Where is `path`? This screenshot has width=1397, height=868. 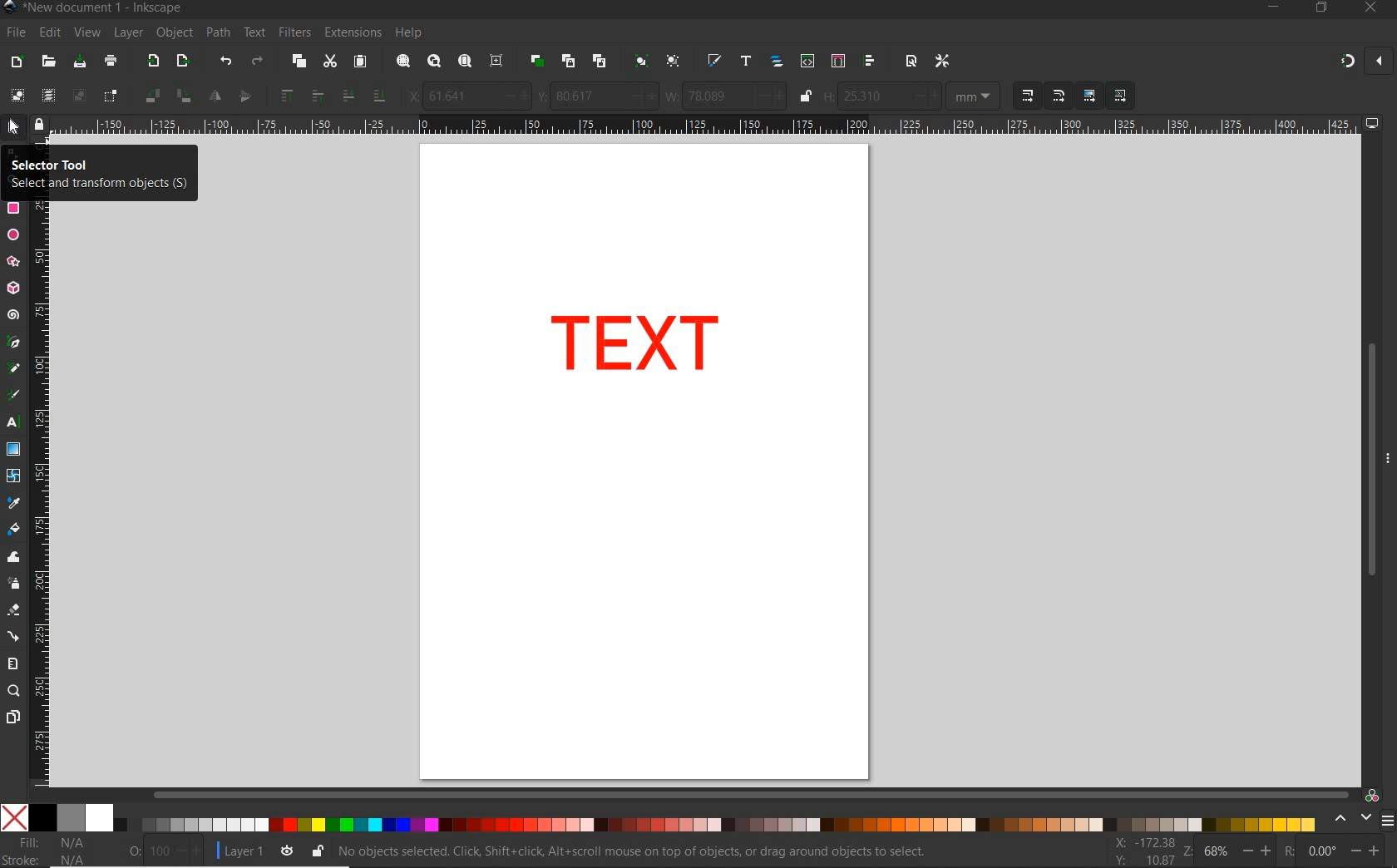
path is located at coordinates (218, 33).